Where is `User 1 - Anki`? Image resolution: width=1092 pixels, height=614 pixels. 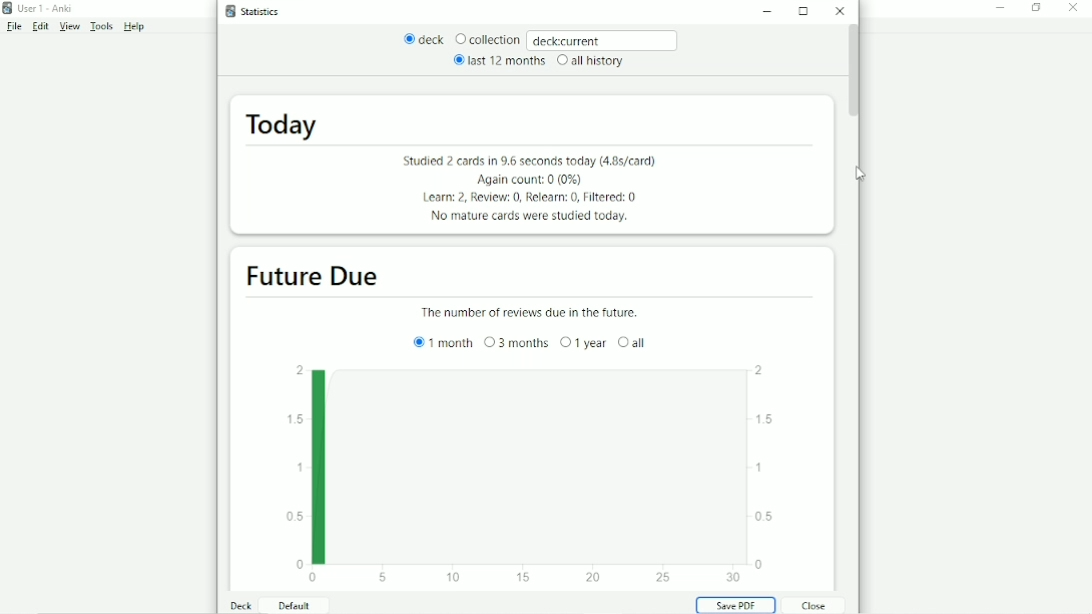 User 1 - Anki is located at coordinates (45, 8).